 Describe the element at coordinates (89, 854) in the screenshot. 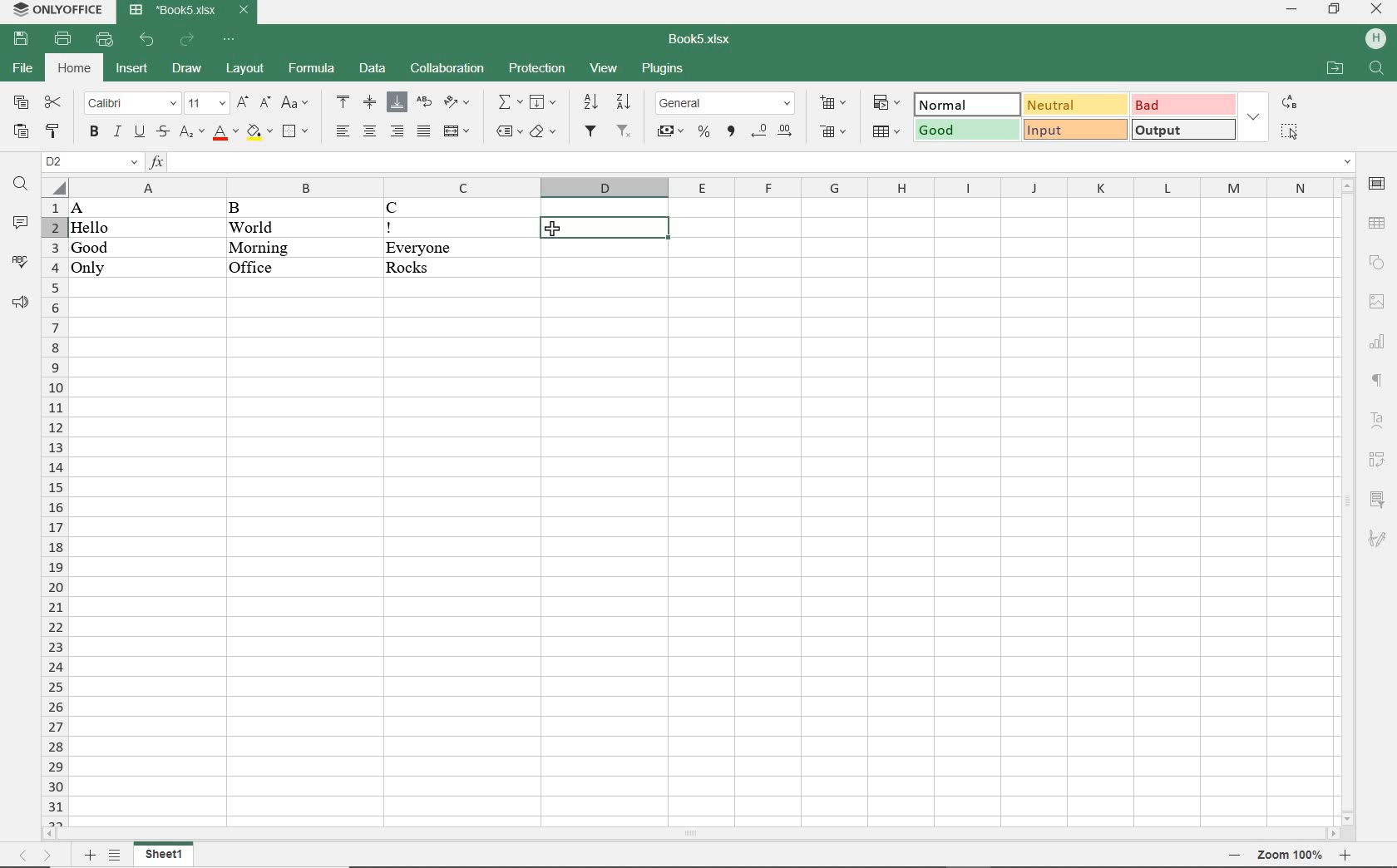

I see `add sheet` at that location.